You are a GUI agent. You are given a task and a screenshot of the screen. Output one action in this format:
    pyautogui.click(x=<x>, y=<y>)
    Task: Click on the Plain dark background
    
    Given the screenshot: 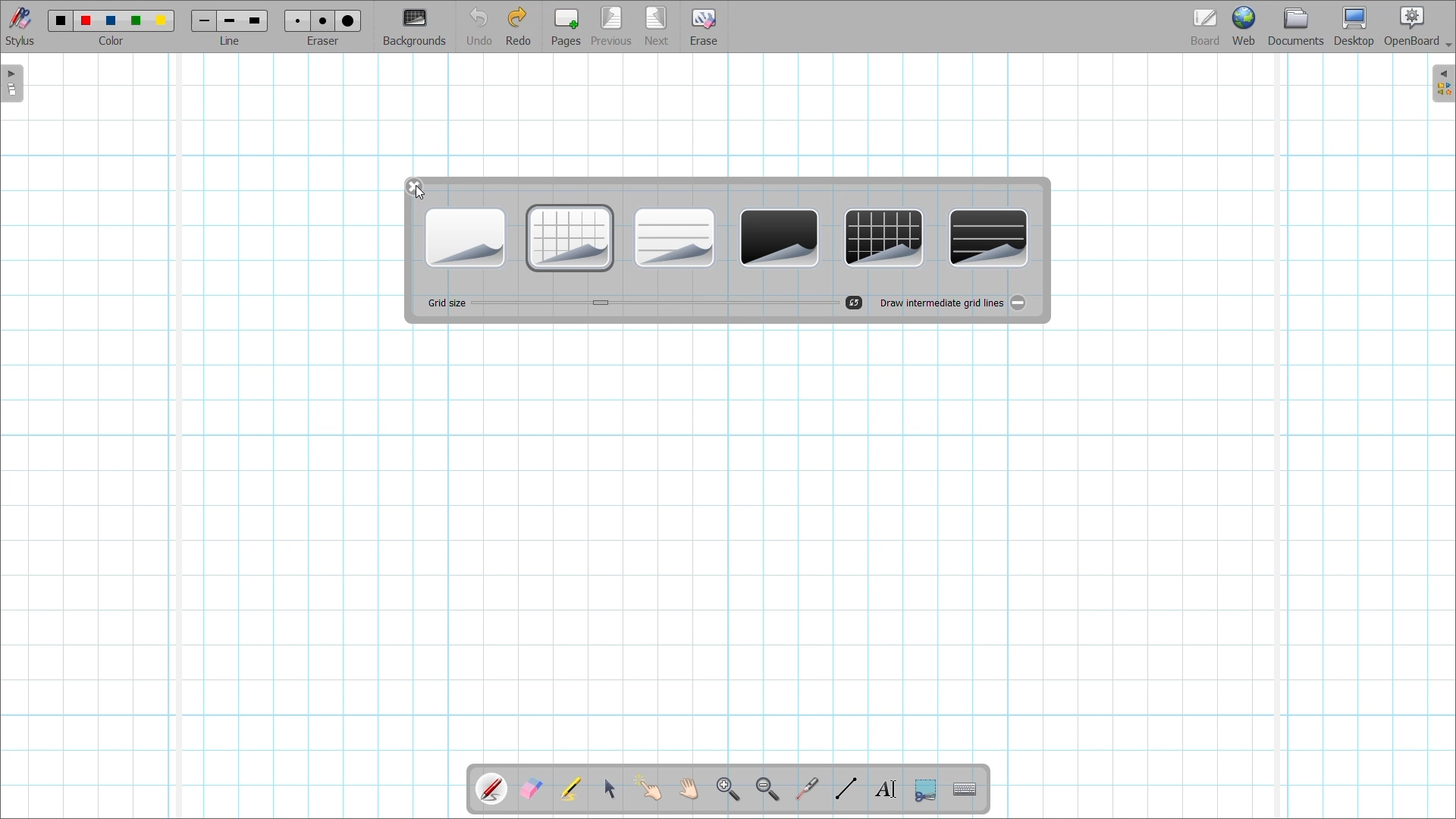 What is the action you would take?
    pyautogui.click(x=779, y=238)
    